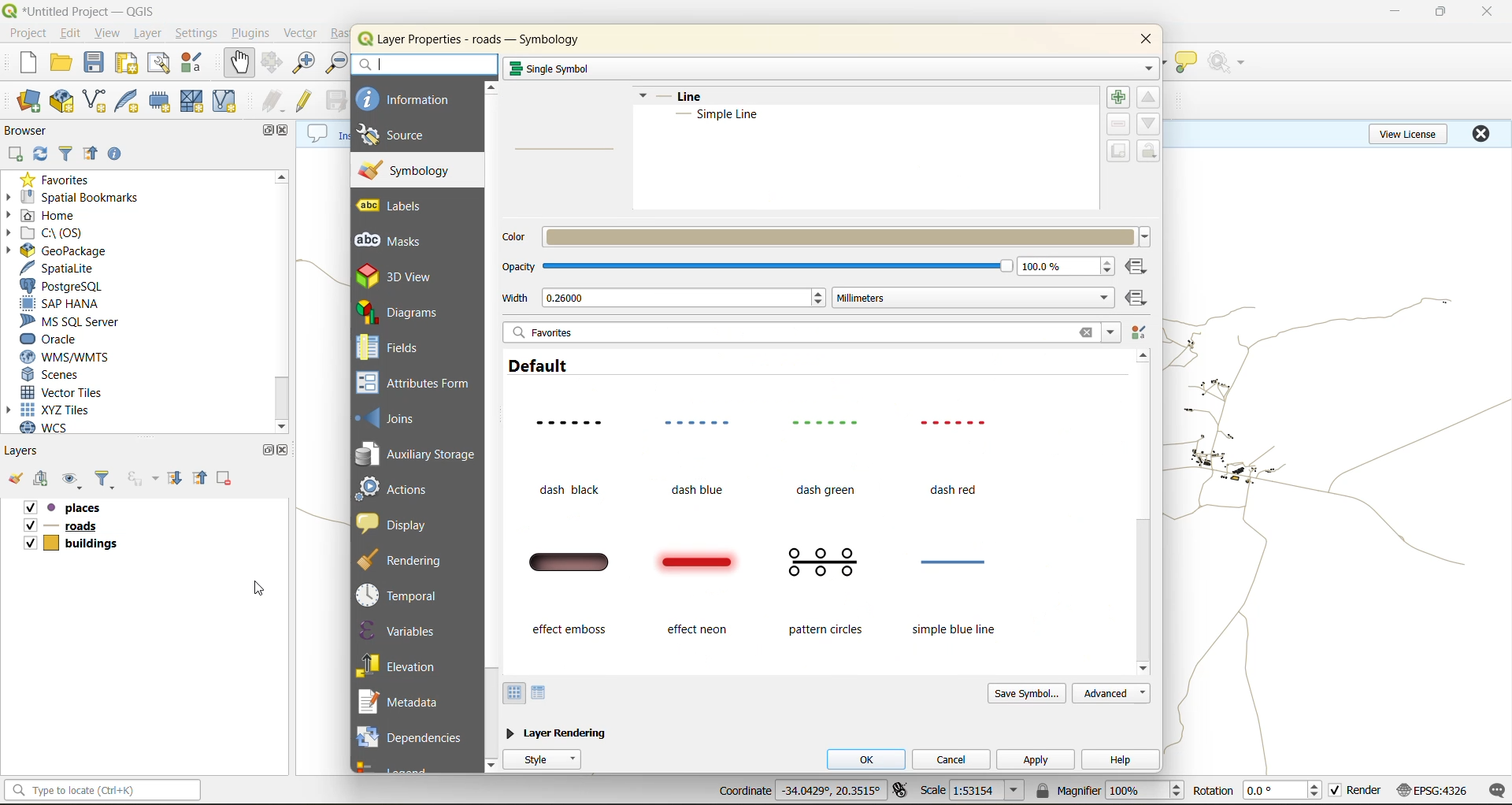 Image resolution: width=1512 pixels, height=805 pixels. I want to click on layer, so click(147, 34).